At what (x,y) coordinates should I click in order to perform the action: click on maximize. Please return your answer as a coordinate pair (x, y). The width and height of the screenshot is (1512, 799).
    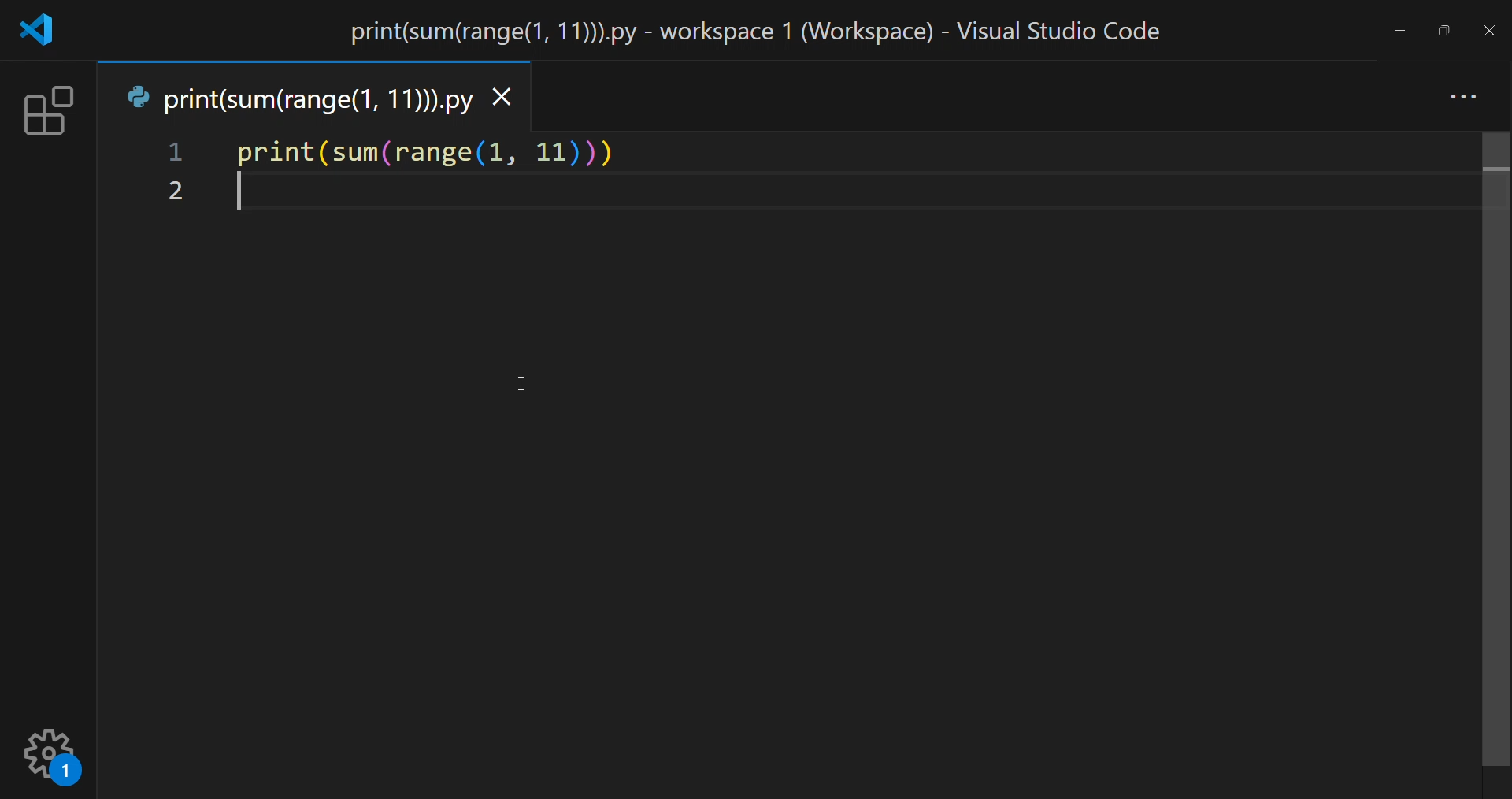
    Looking at the image, I should click on (1446, 28).